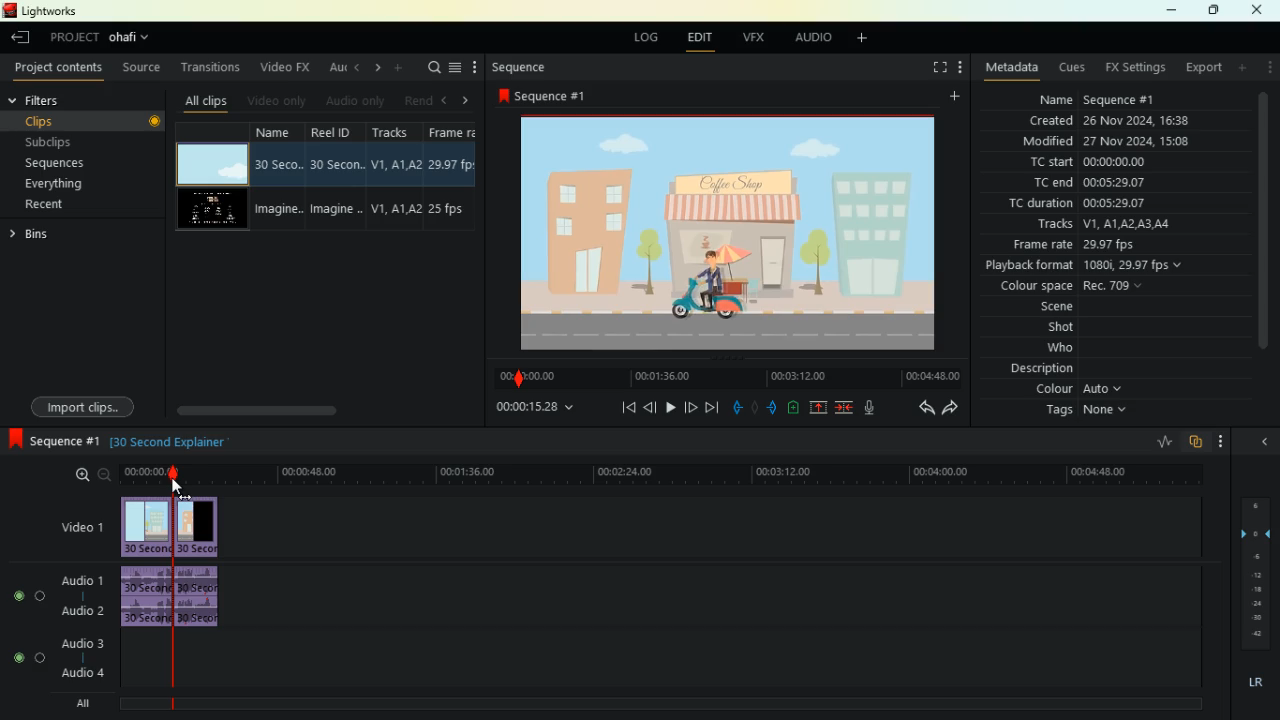 This screenshot has width=1280, height=720. I want to click on created, so click(1054, 120).